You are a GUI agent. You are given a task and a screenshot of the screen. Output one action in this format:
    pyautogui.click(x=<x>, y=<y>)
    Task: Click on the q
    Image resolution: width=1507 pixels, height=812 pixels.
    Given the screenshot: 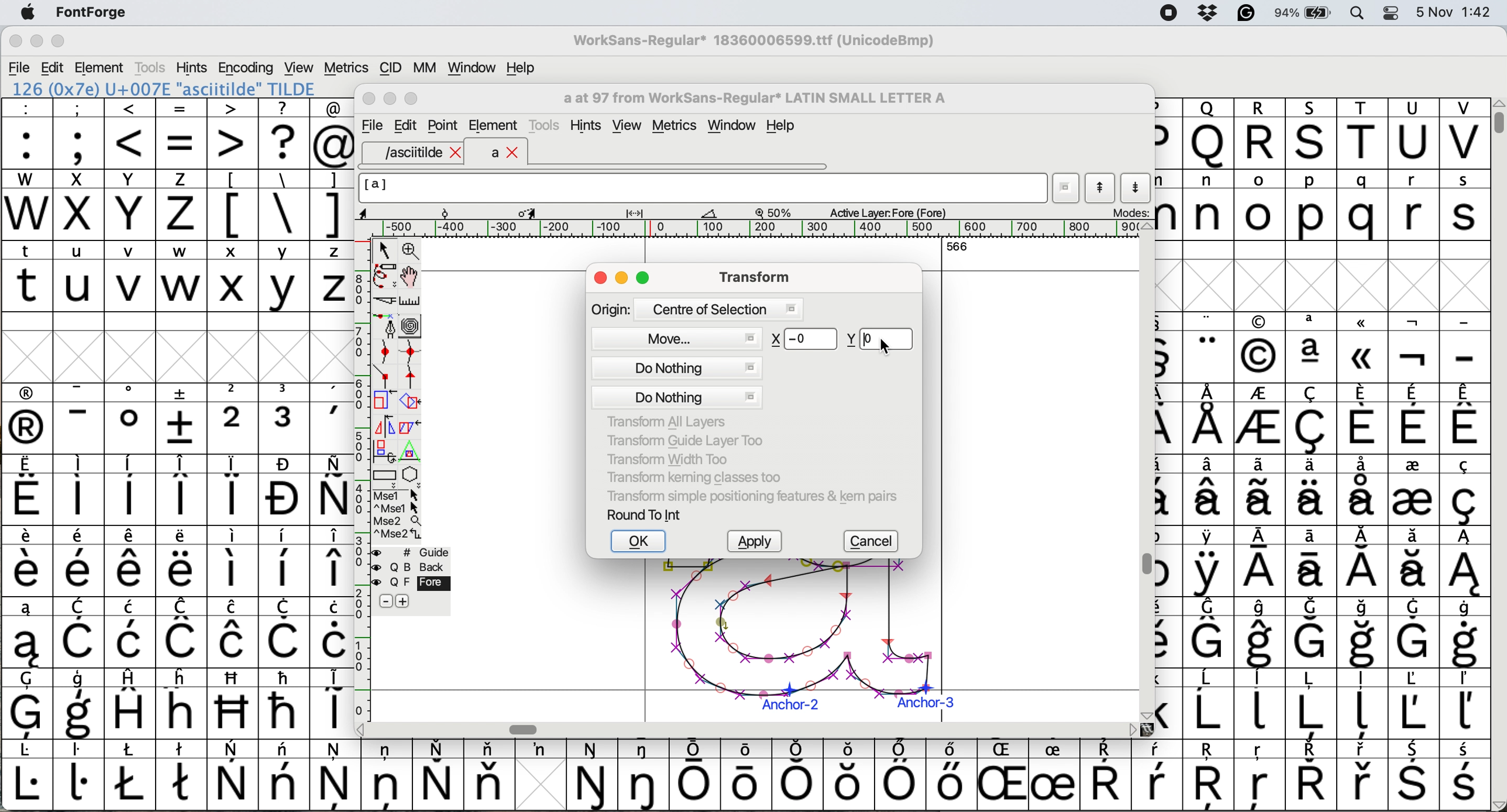 What is the action you would take?
    pyautogui.click(x=1365, y=206)
    